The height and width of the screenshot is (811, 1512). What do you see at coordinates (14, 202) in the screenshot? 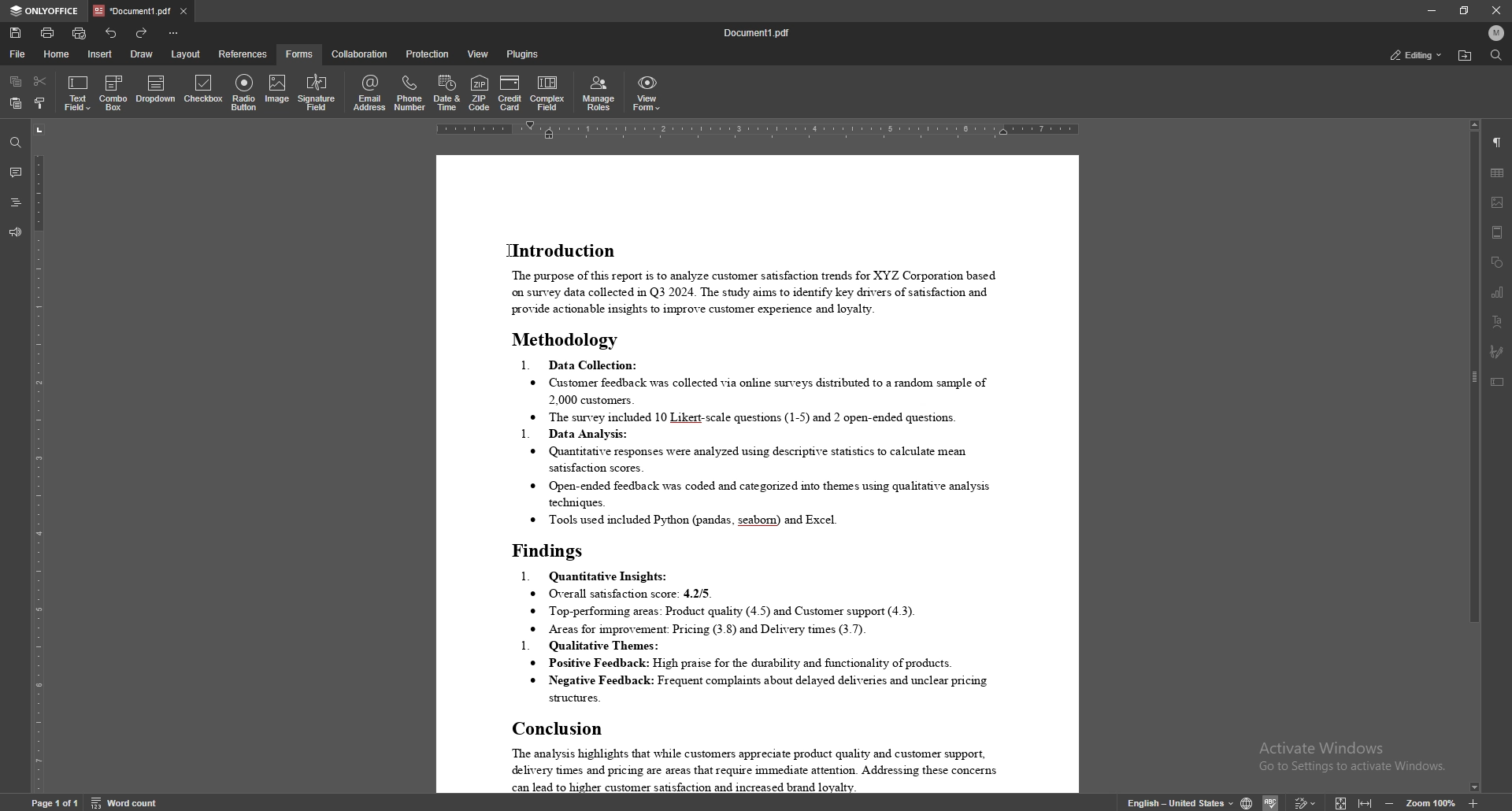
I see `headings` at bounding box center [14, 202].